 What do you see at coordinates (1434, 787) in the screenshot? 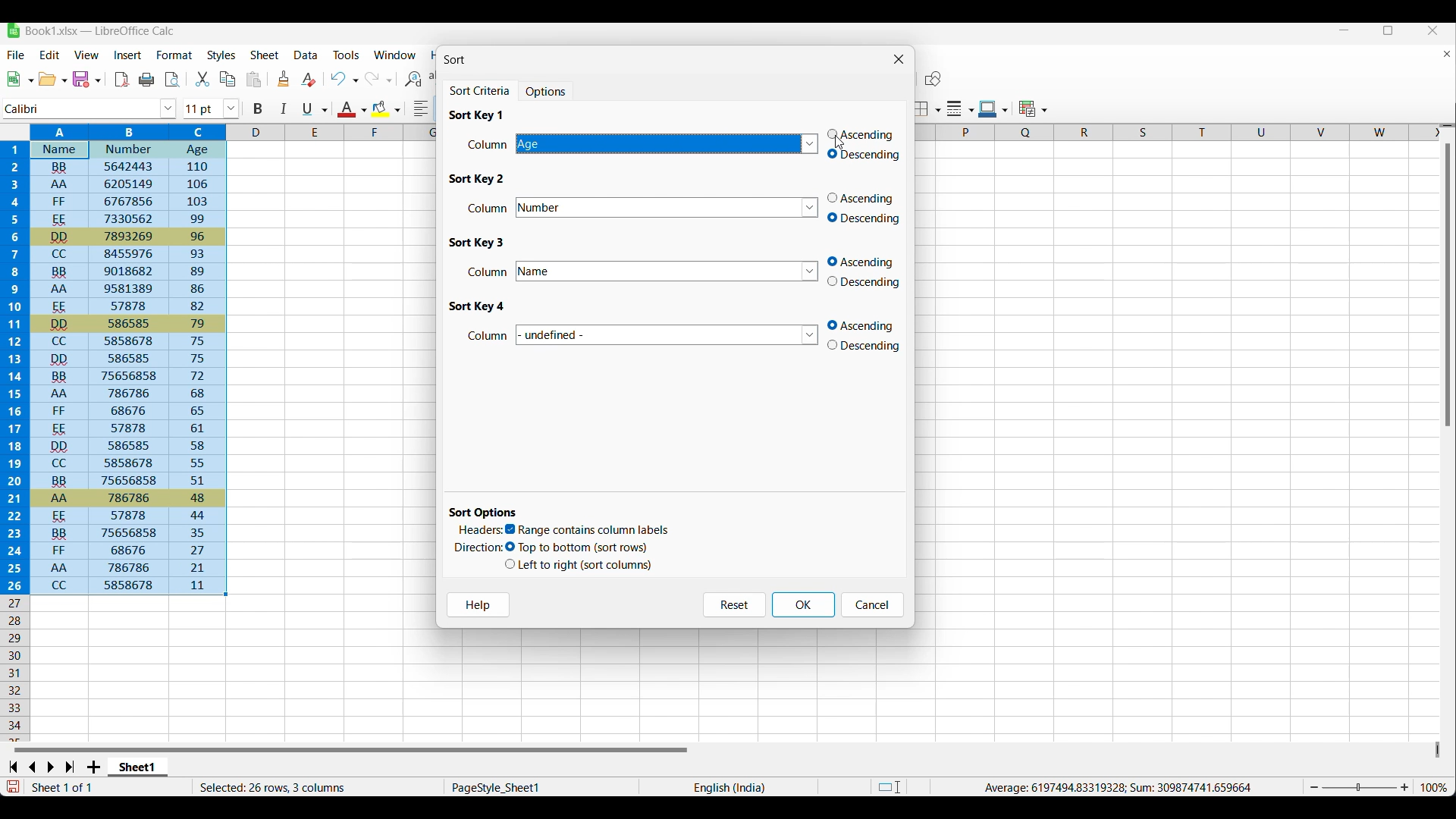
I see `Current zoom factor` at bounding box center [1434, 787].